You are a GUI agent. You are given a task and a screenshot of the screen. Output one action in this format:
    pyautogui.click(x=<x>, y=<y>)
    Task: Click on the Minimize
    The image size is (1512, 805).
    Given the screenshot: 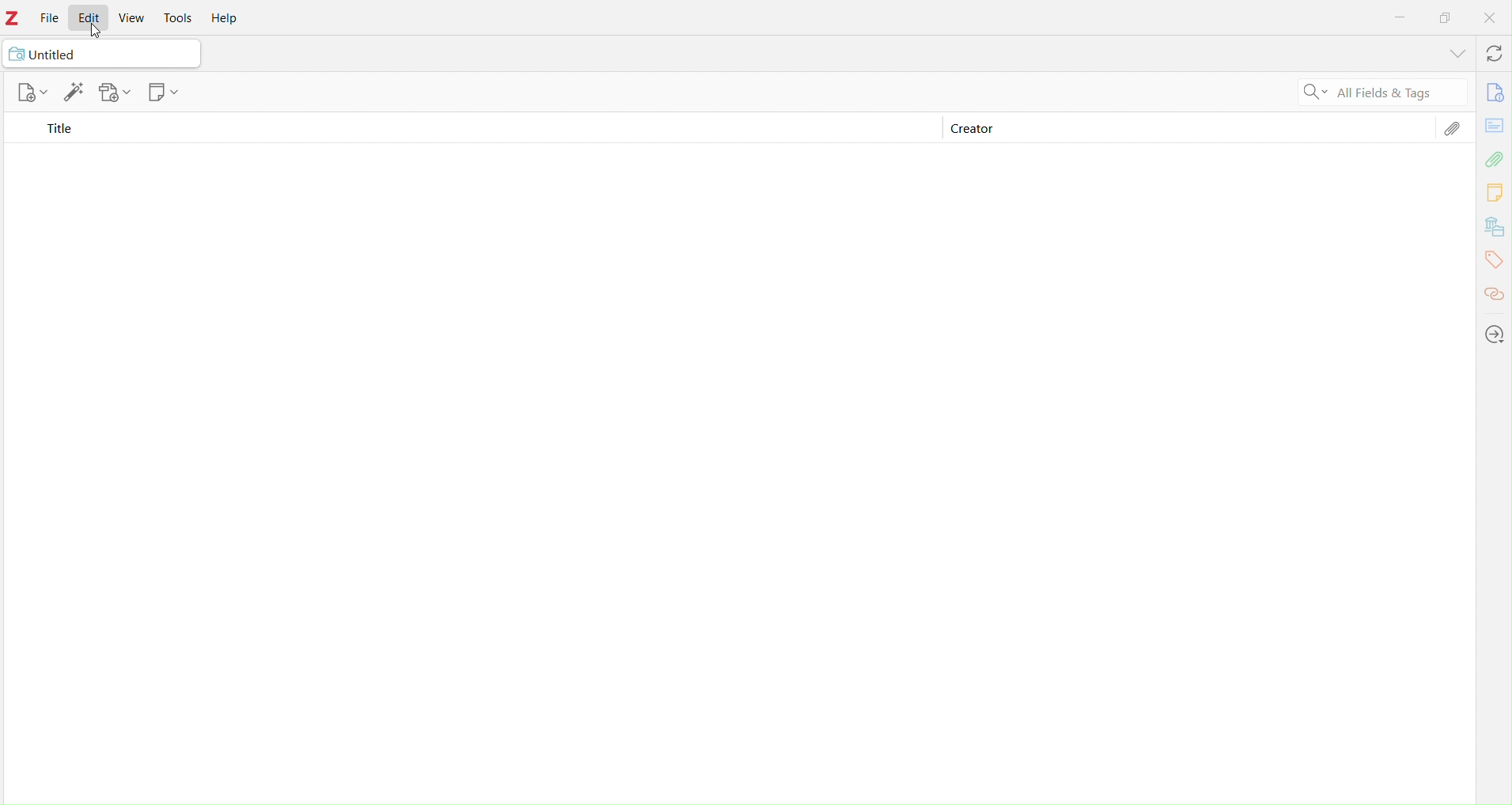 What is the action you would take?
    pyautogui.click(x=1403, y=19)
    